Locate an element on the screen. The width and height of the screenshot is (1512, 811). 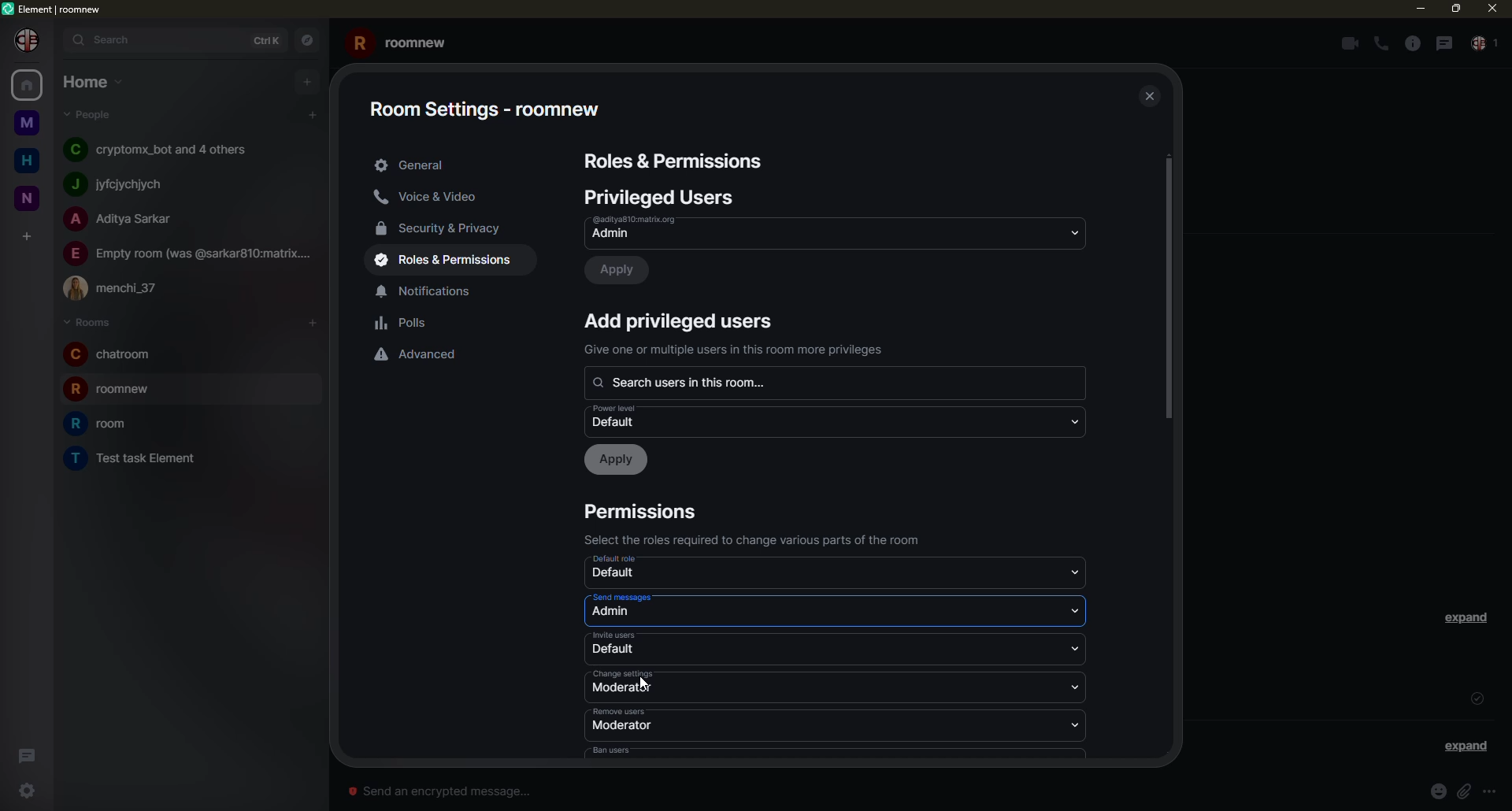
invite is located at coordinates (616, 635).